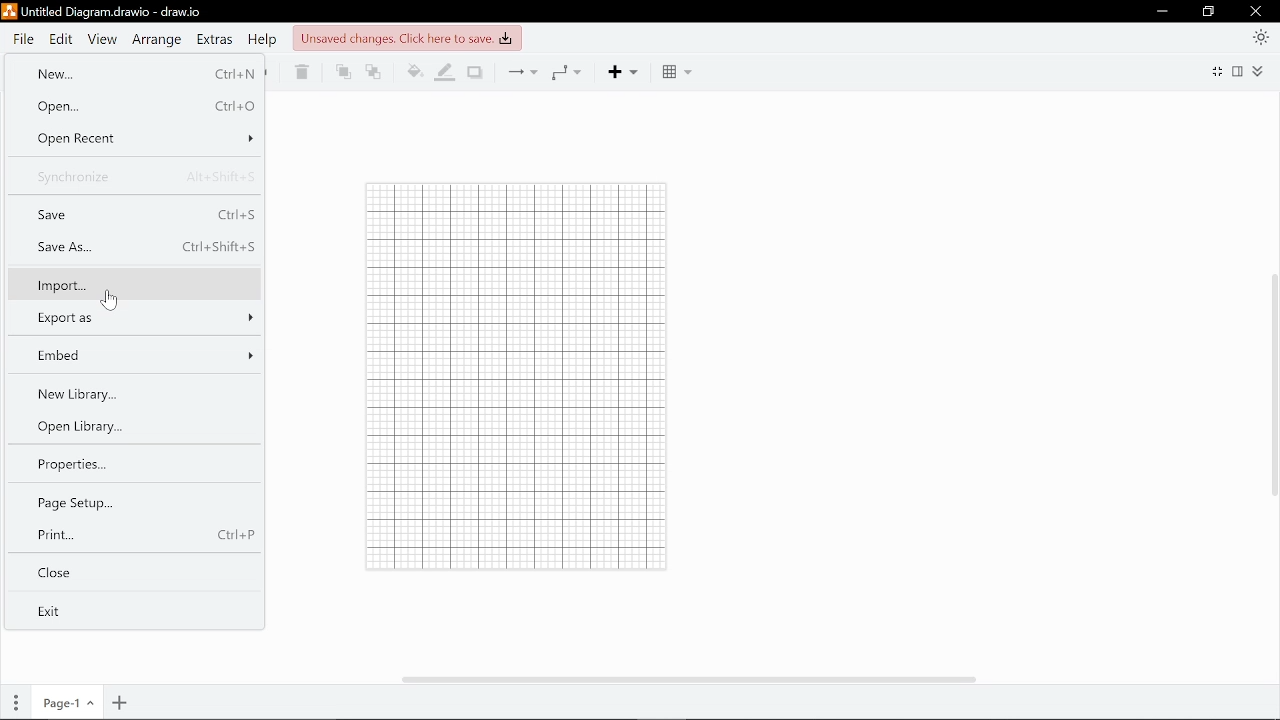 This screenshot has height=720, width=1280. What do you see at coordinates (475, 72) in the screenshot?
I see `Shadow` at bounding box center [475, 72].